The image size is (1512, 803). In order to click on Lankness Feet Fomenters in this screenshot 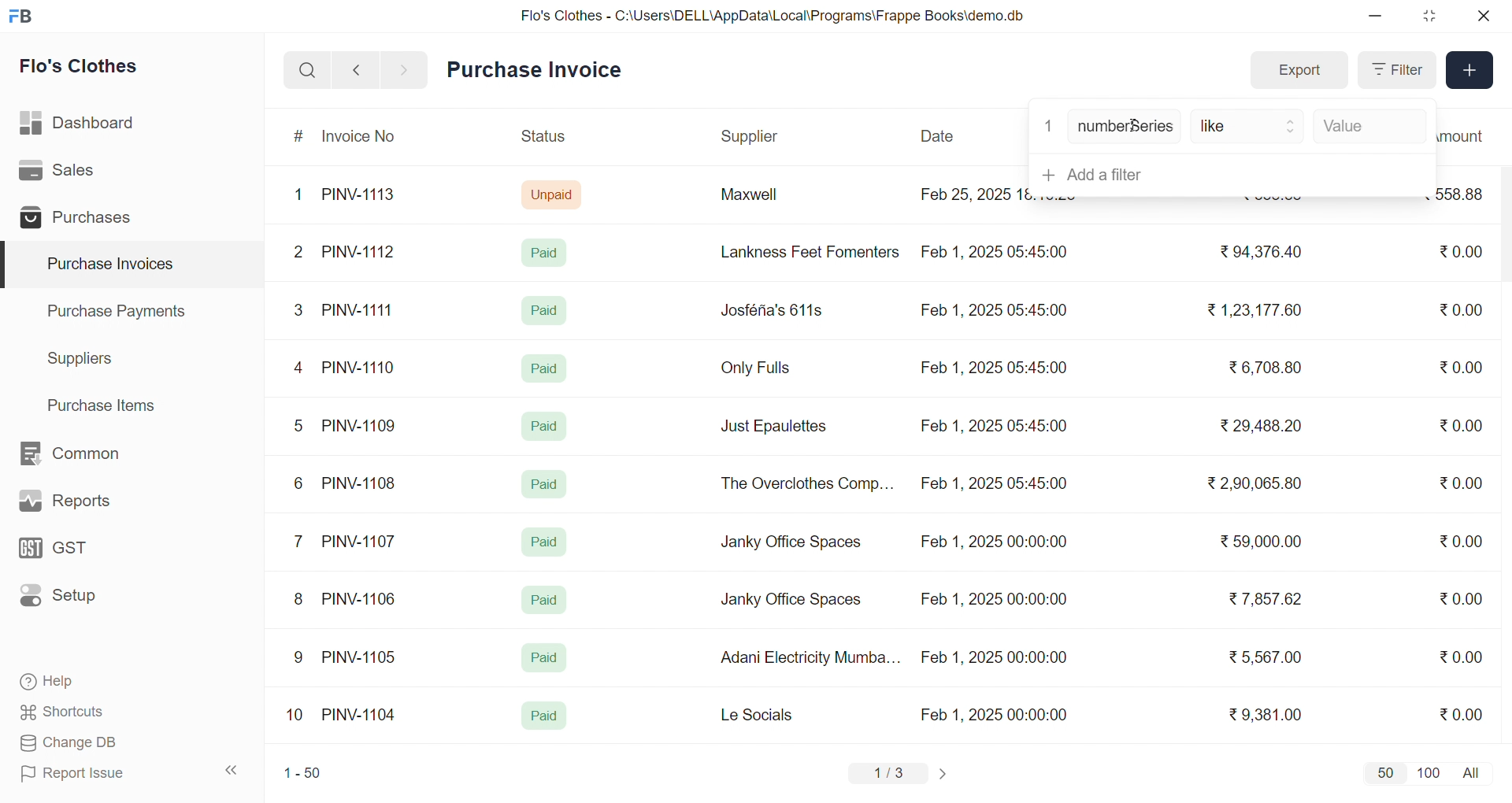, I will do `click(800, 252)`.